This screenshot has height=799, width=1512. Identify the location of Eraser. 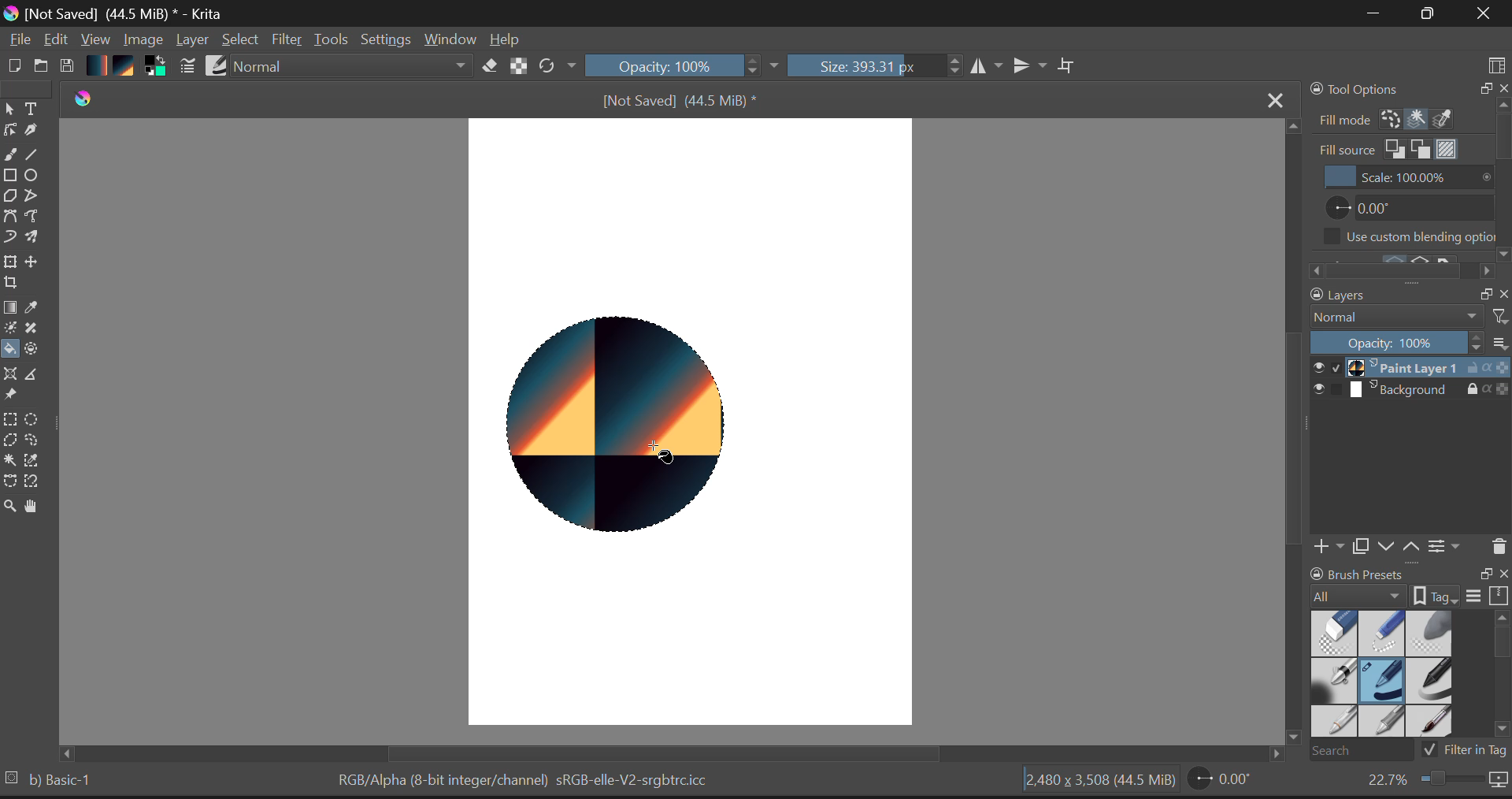
(487, 66).